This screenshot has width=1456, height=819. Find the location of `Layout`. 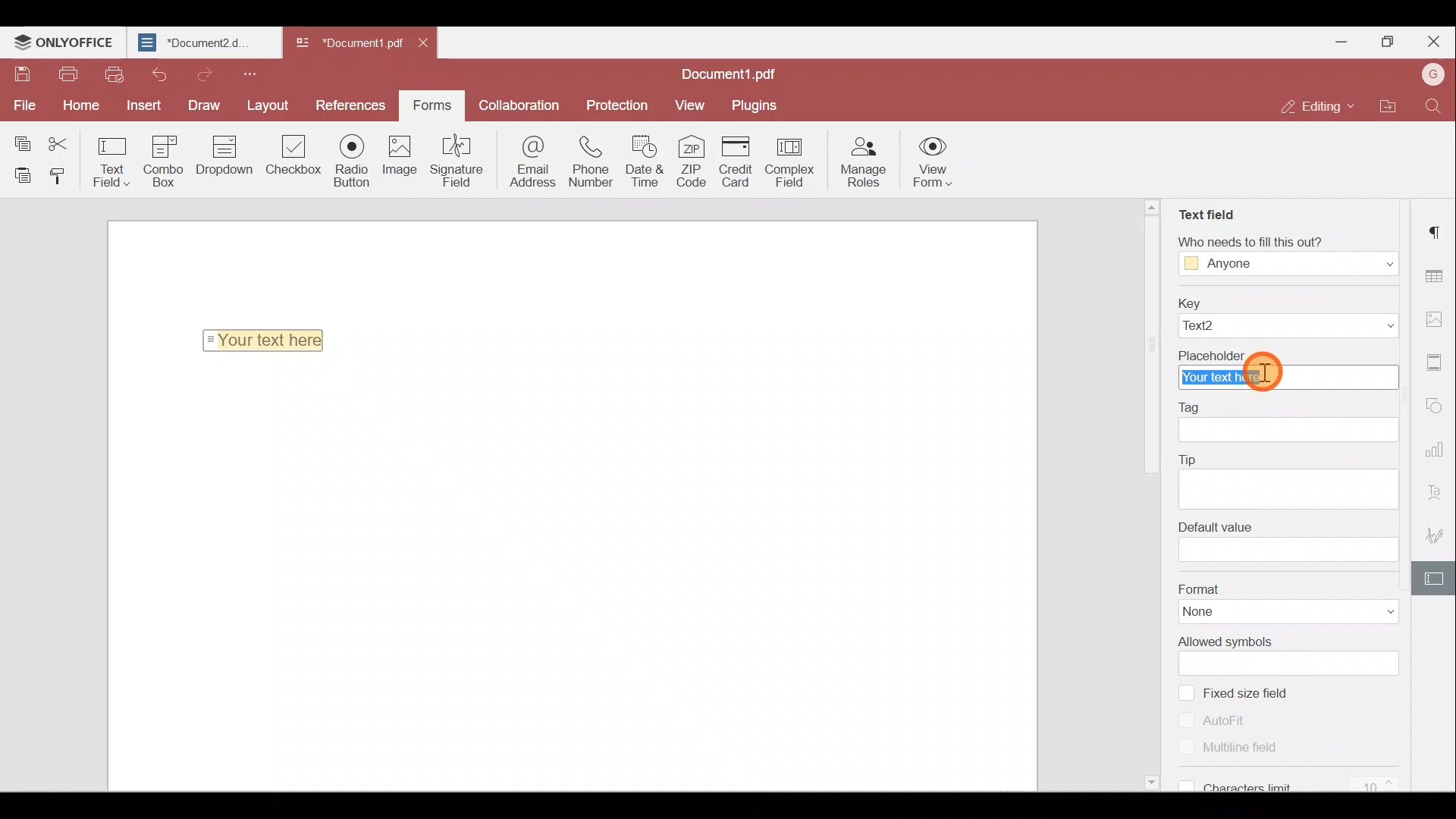

Layout is located at coordinates (267, 104).